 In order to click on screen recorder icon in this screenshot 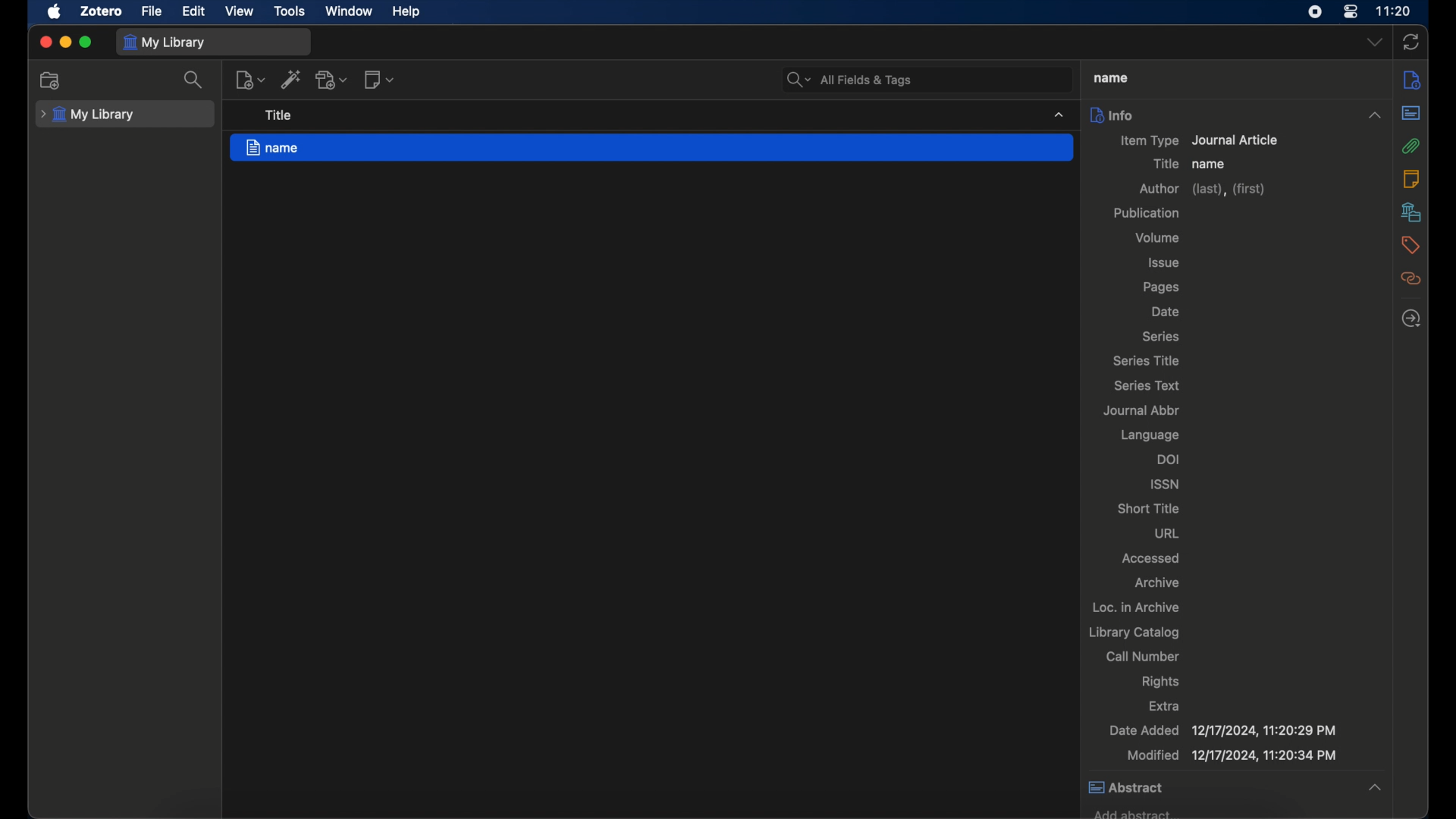, I will do `click(1316, 12)`.